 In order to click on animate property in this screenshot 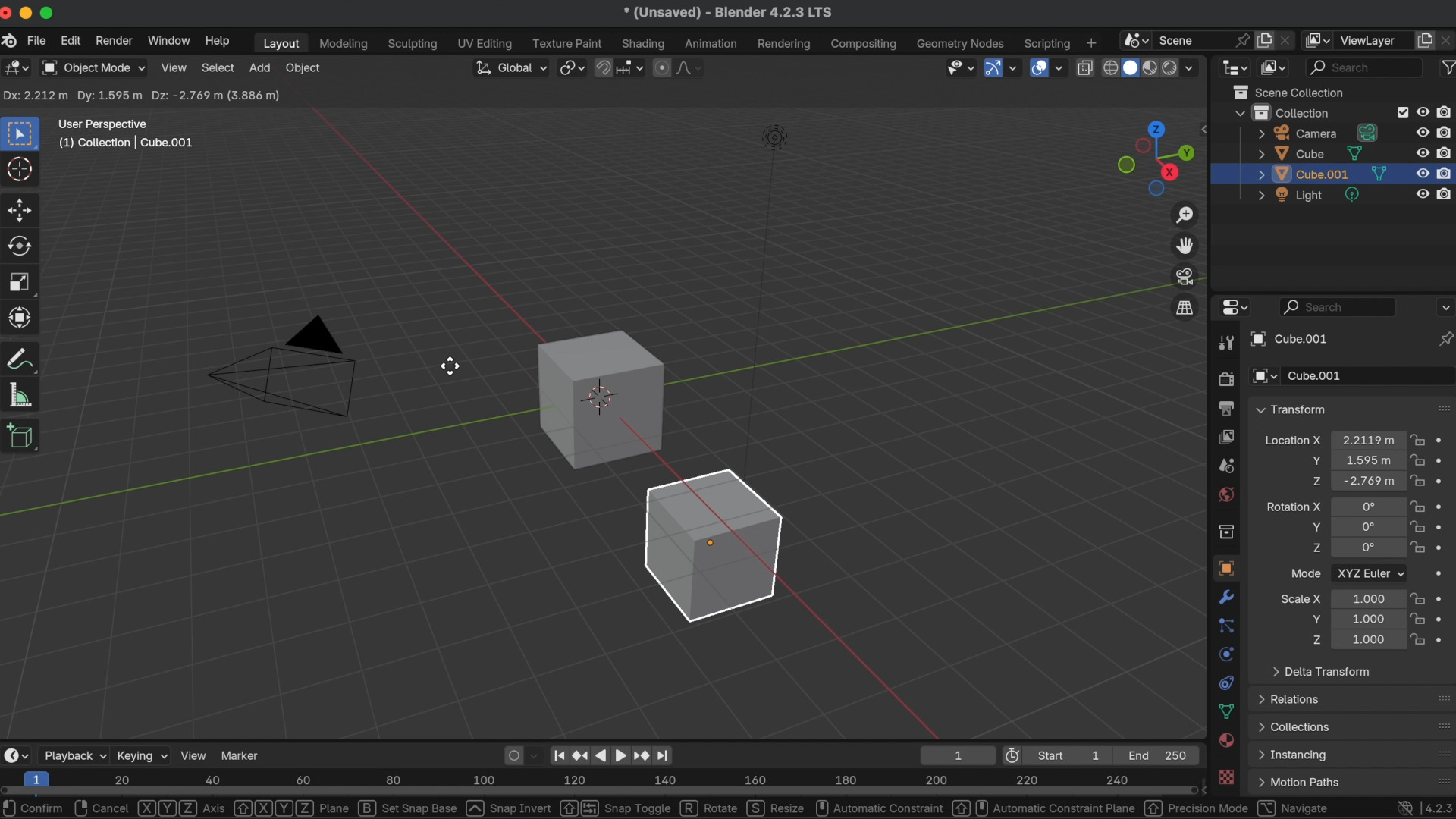, I will do `click(1444, 526)`.